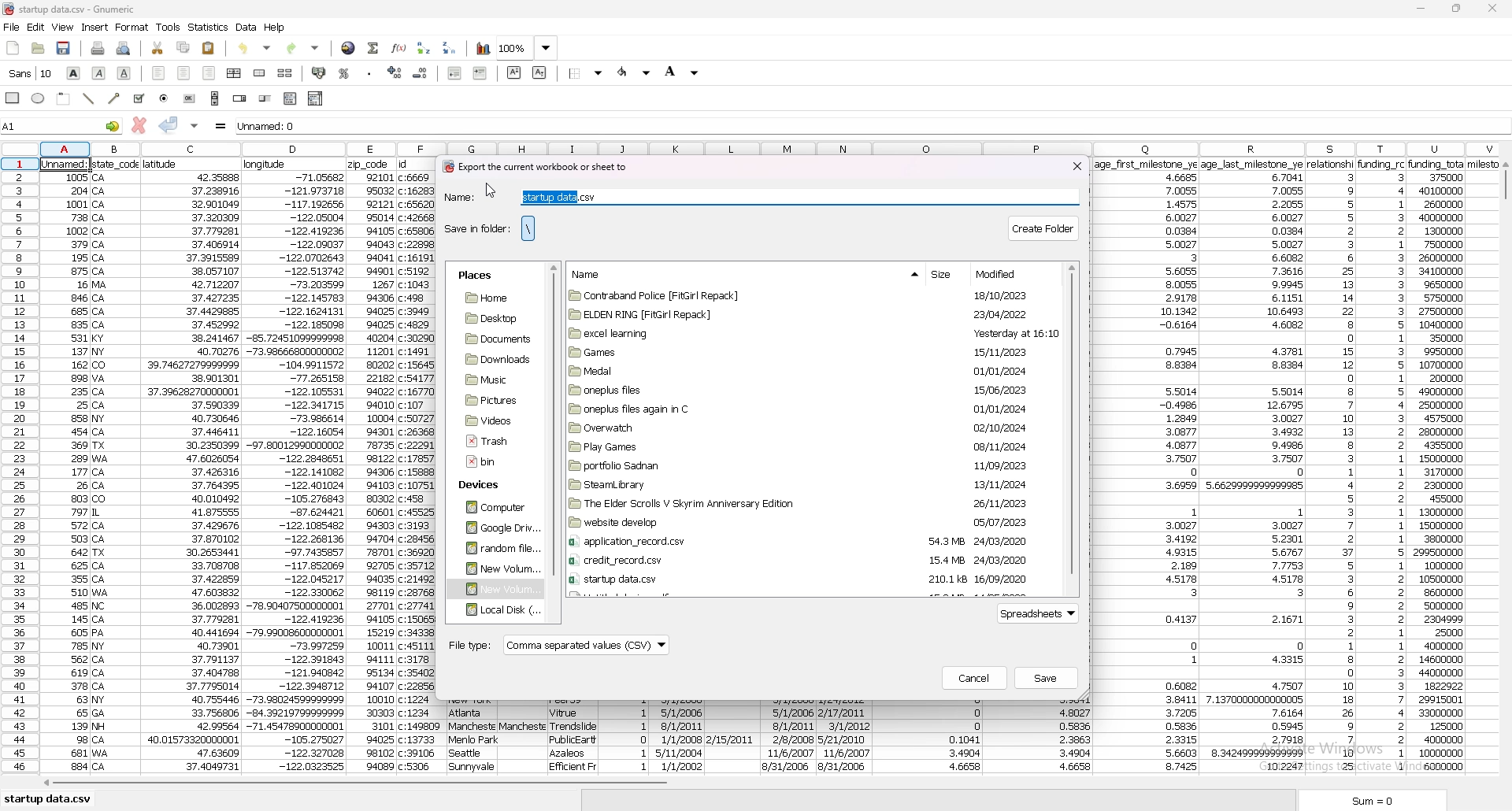 This screenshot has width=1512, height=811. Describe the element at coordinates (1047, 678) in the screenshot. I see `save` at that location.